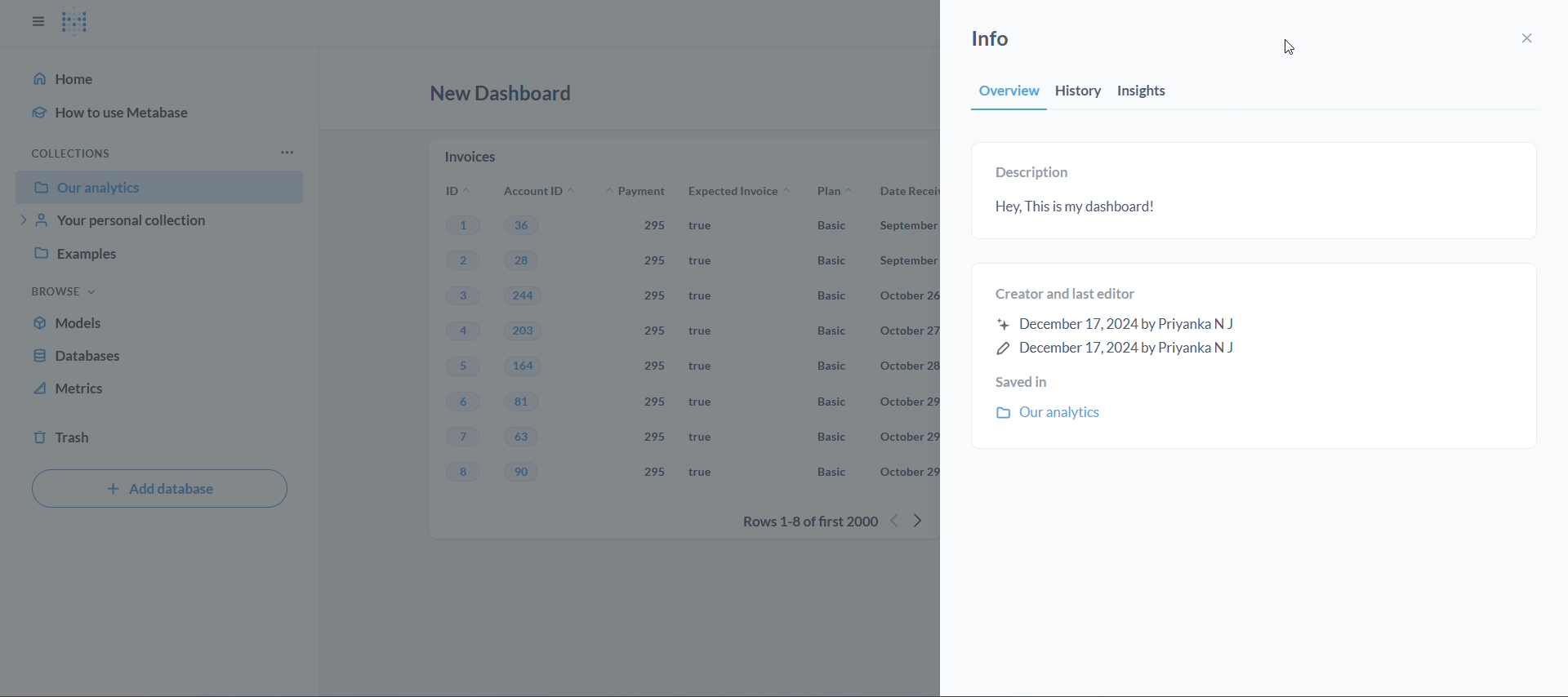 The height and width of the screenshot is (697, 1568). I want to click on 36, so click(522, 224).